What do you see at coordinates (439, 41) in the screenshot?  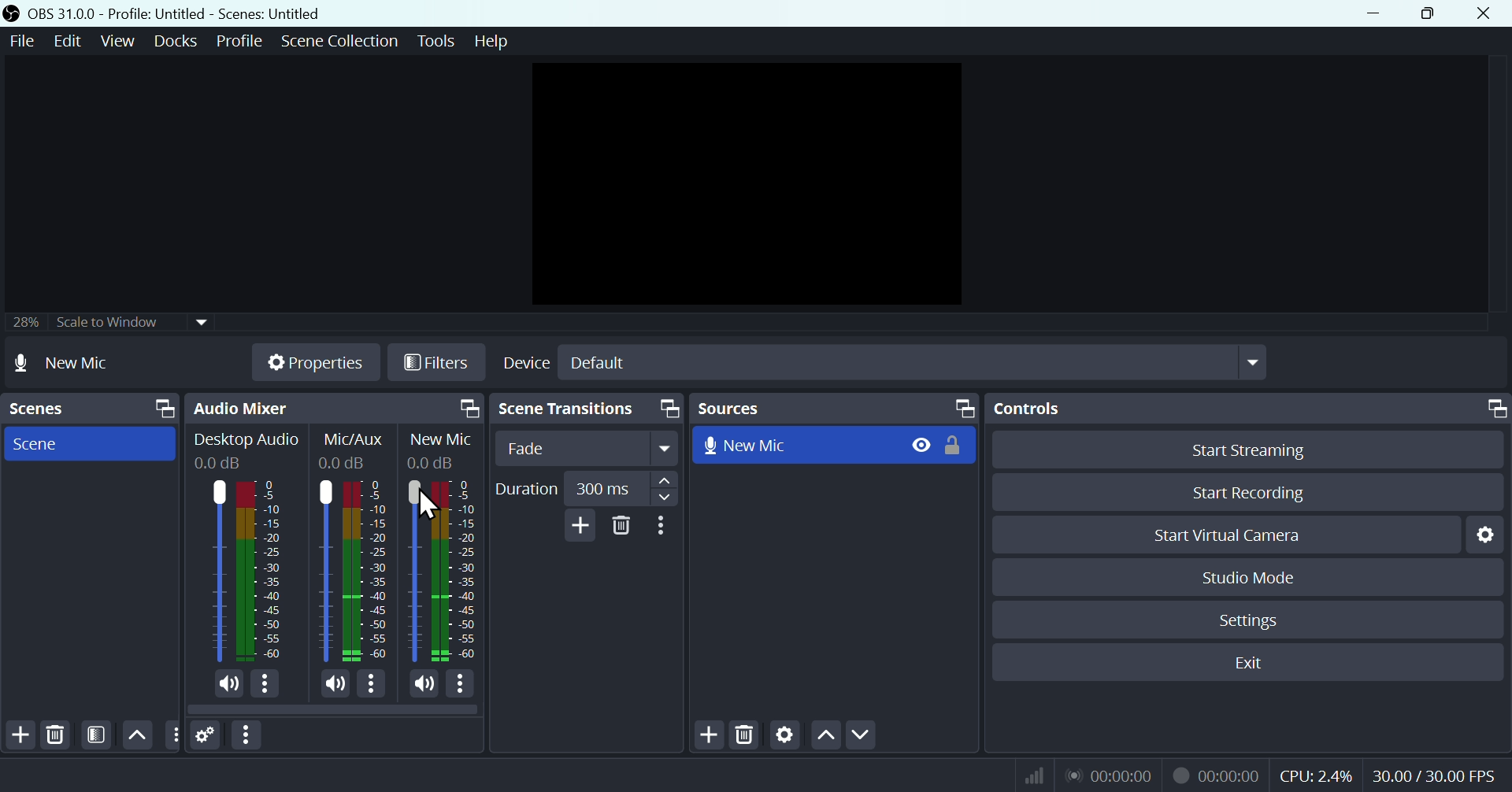 I see `Tools` at bounding box center [439, 41].